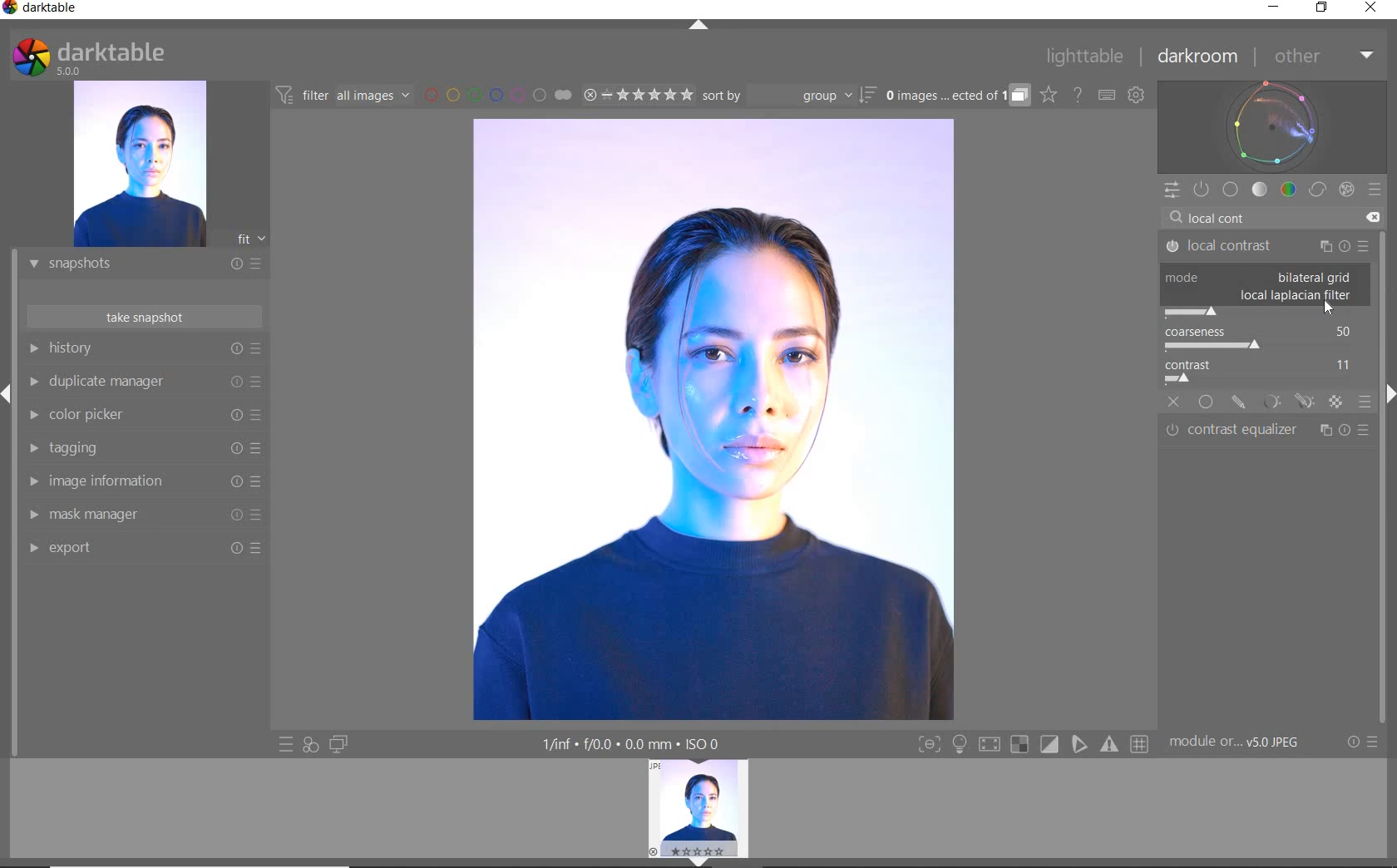 The width and height of the screenshot is (1397, 868). What do you see at coordinates (1375, 189) in the screenshot?
I see `PRESETS` at bounding box center [1375, 189].